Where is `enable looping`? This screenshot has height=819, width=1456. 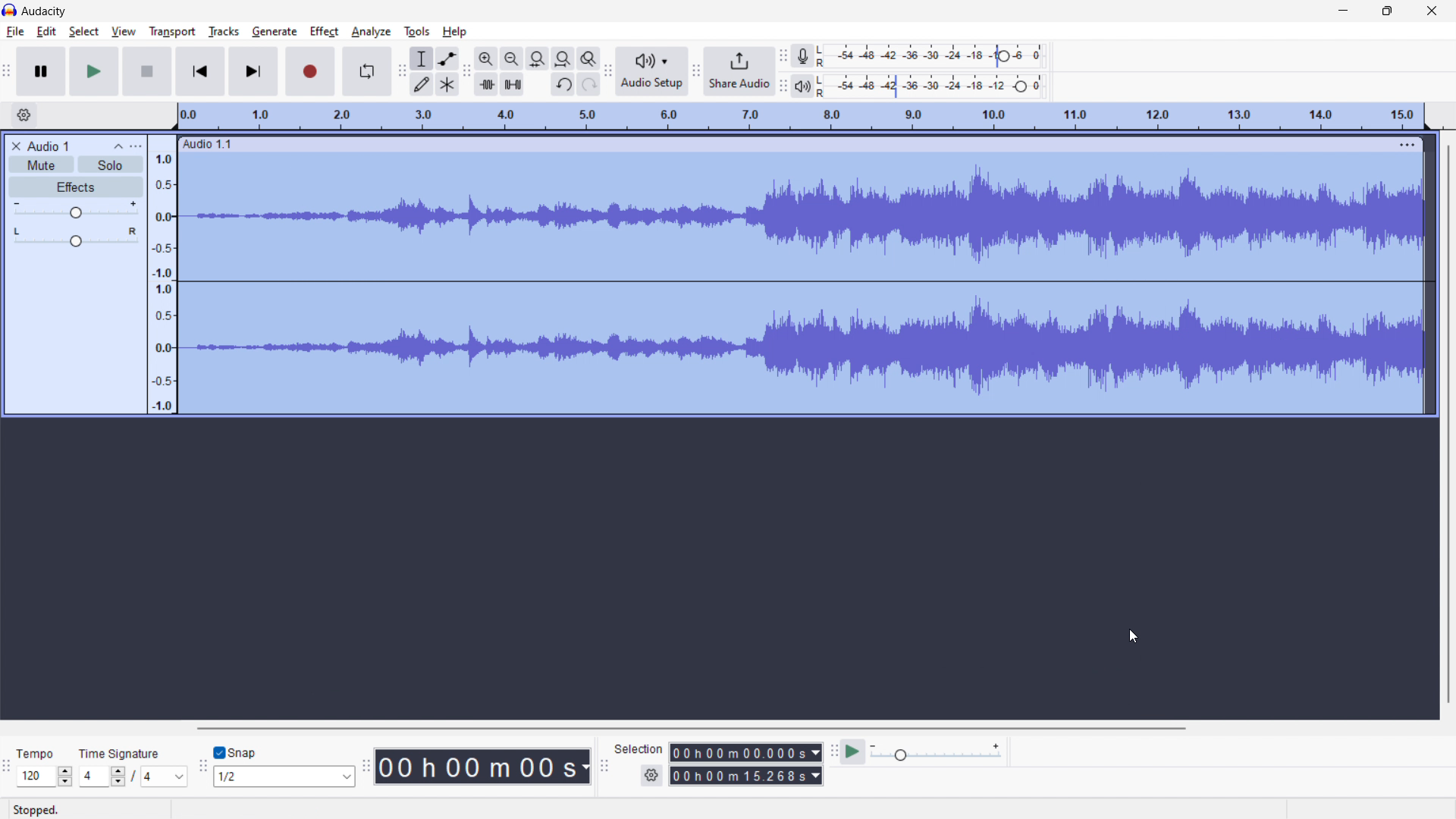
enable looping is located at coordinates (367, 71).